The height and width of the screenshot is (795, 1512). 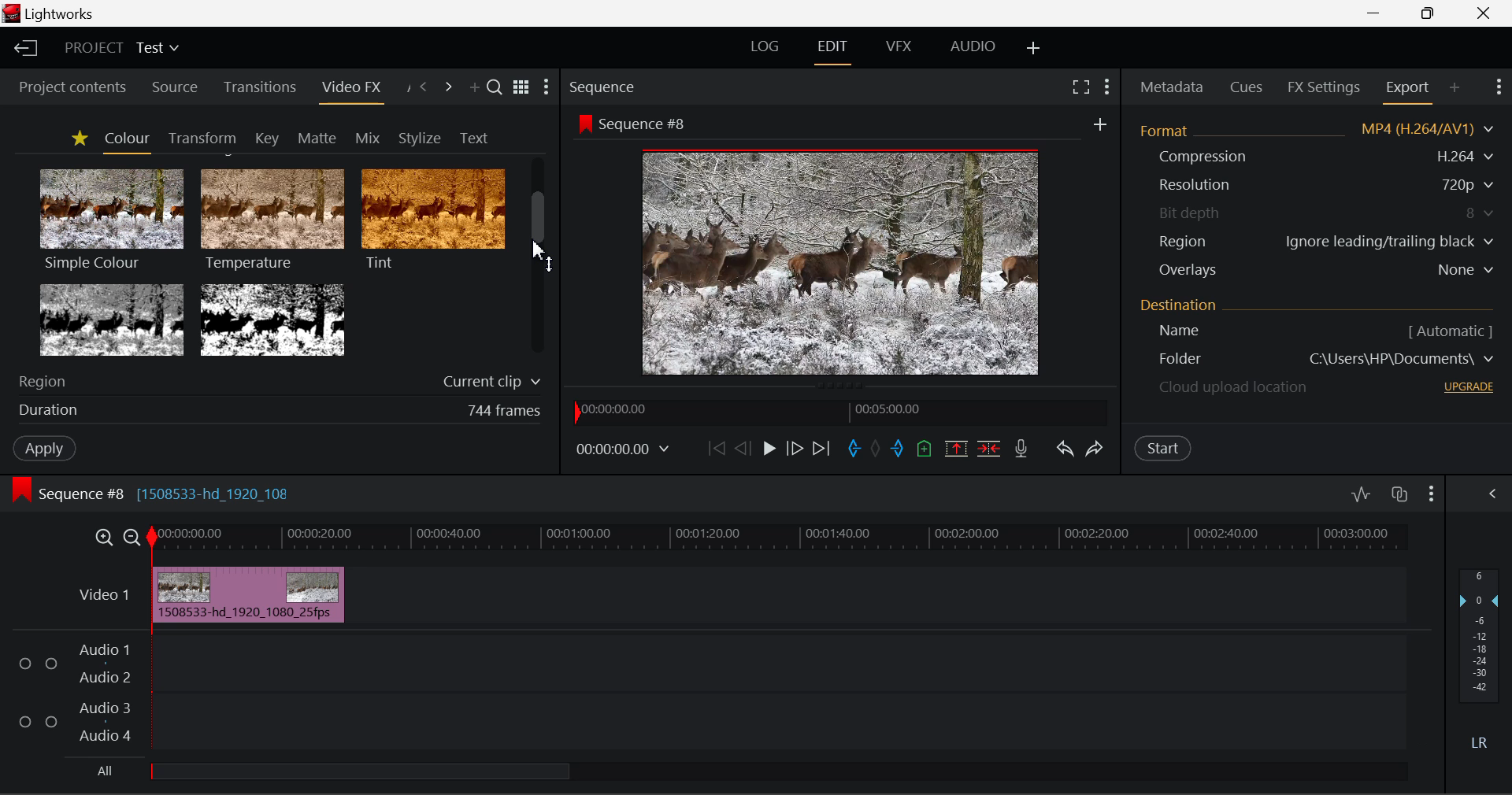 I want to click on Go Forward, so click(x=794, y=449).